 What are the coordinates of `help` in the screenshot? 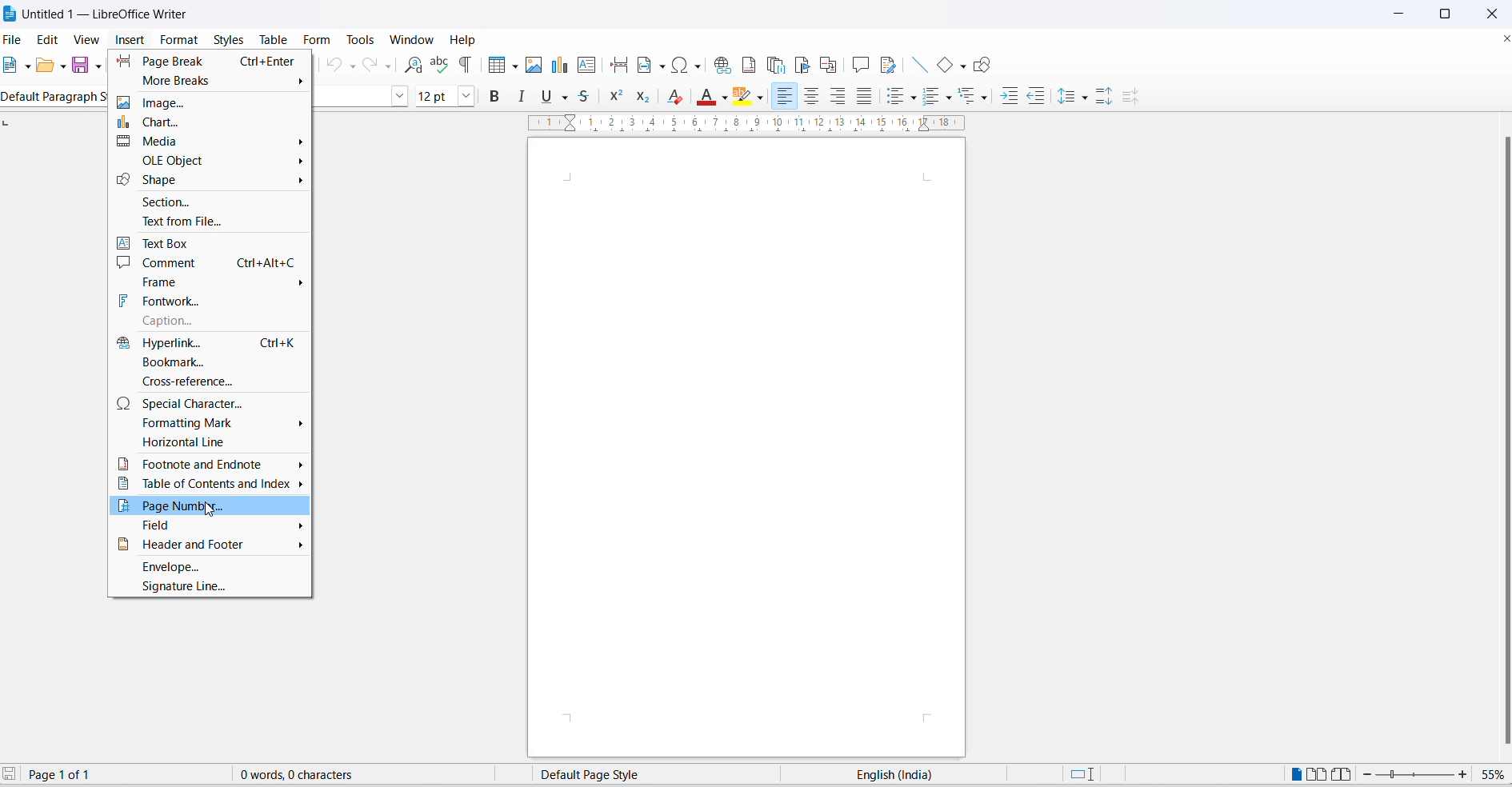 It's located at (470, 41).